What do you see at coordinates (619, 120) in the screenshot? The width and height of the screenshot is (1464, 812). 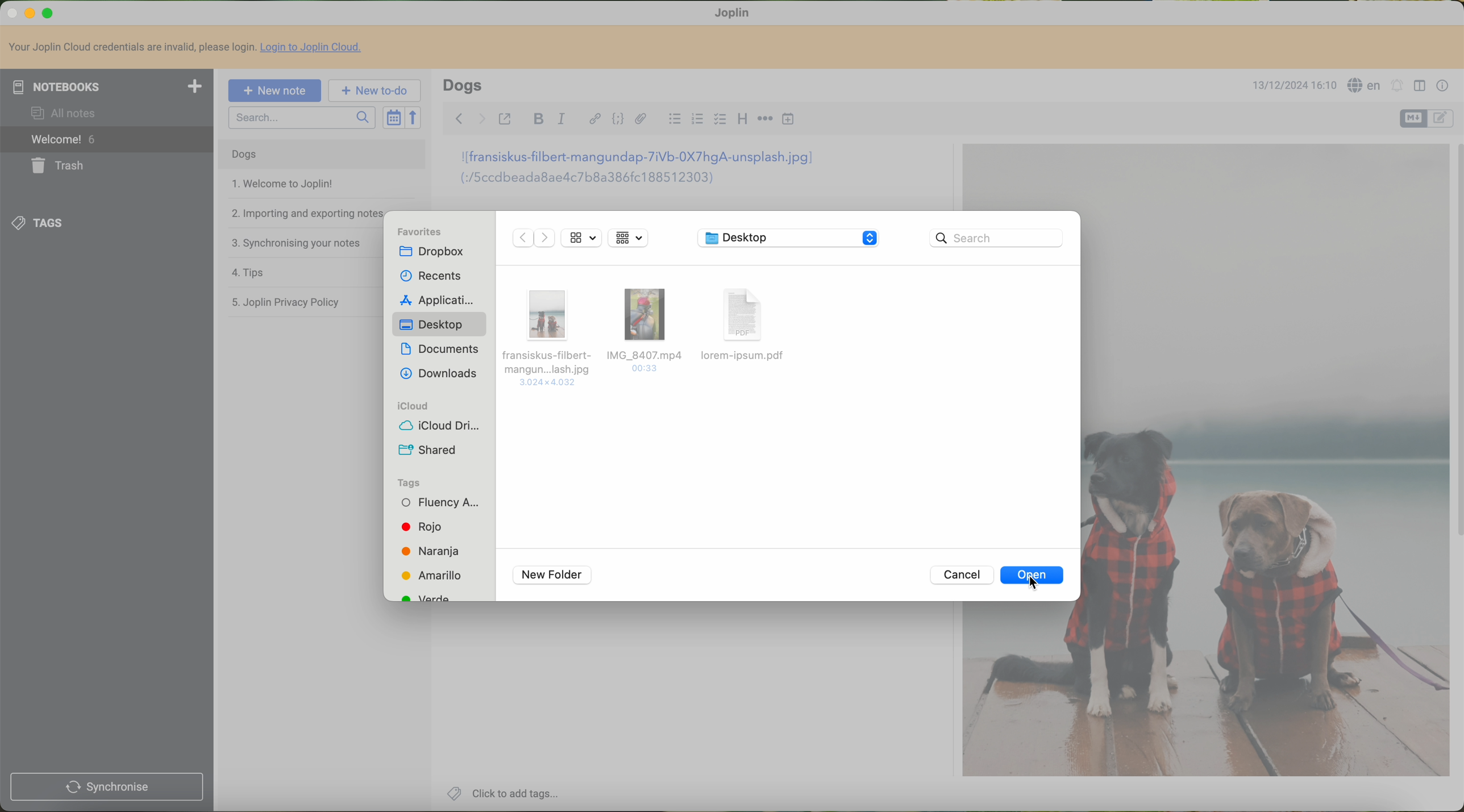 I see `code` at bounding box center [619, 120].